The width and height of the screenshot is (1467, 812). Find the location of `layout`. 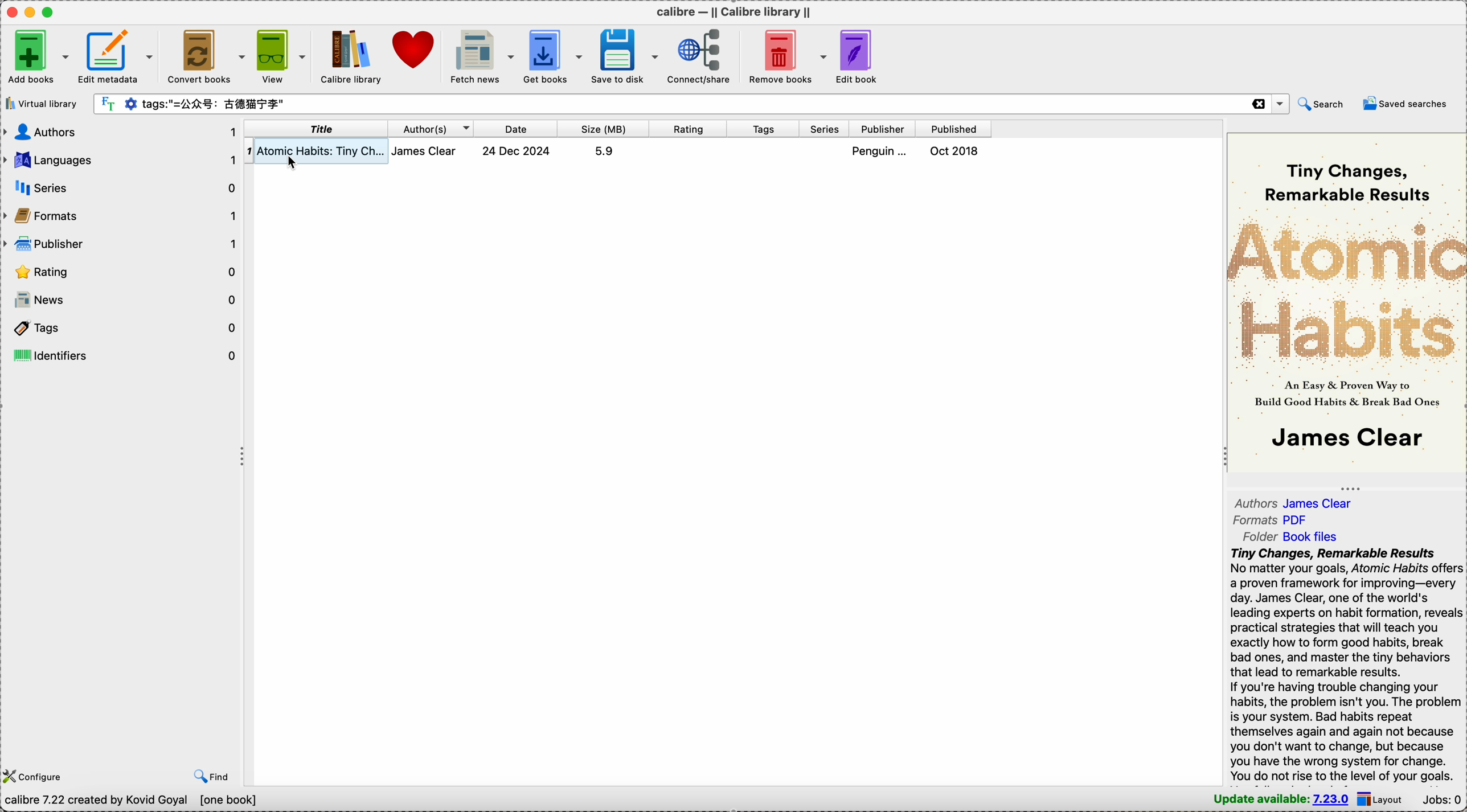

layout is located at coordinates (1382, 798).